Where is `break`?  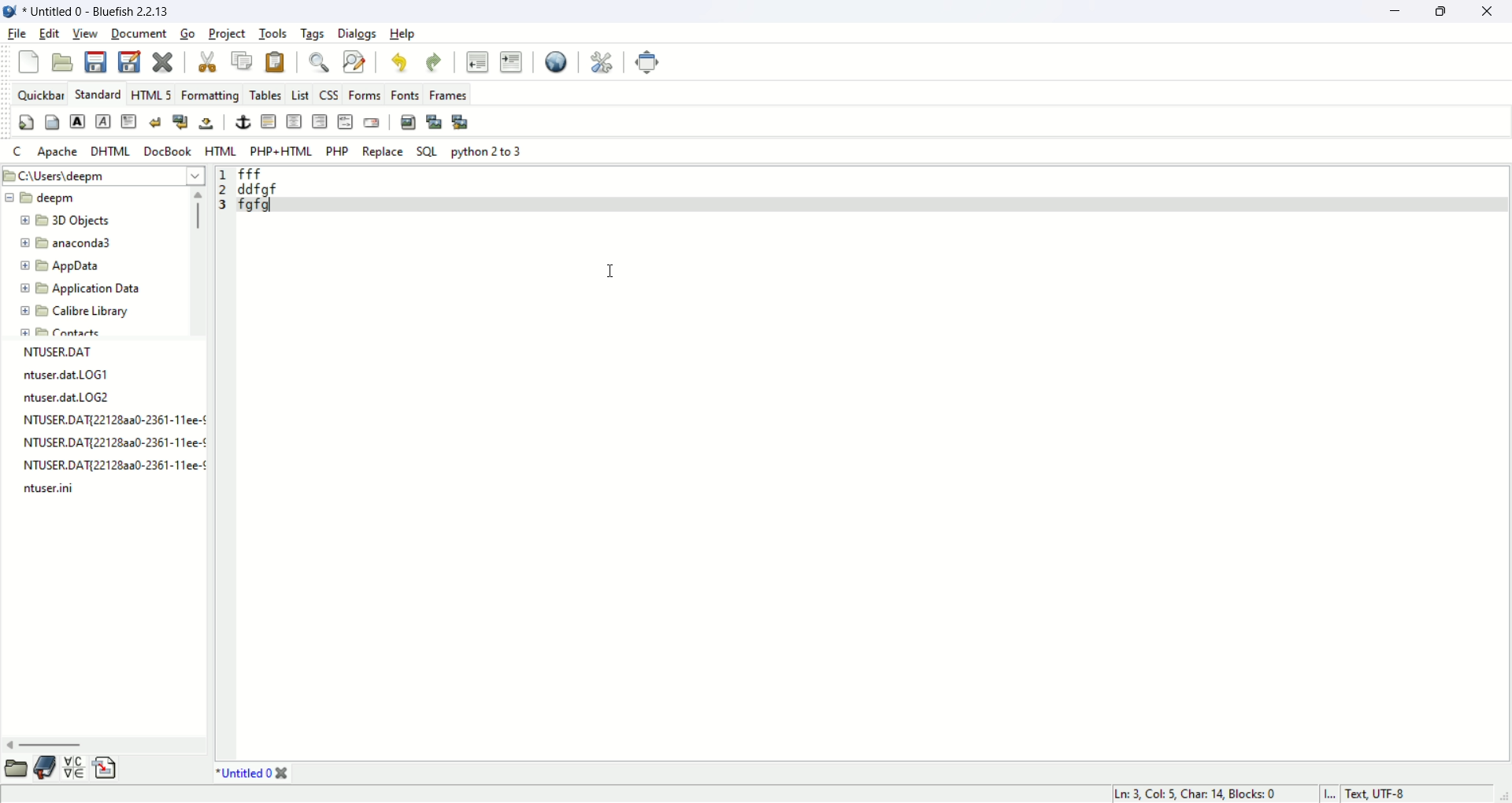 break is located at coordinates (155, 122).